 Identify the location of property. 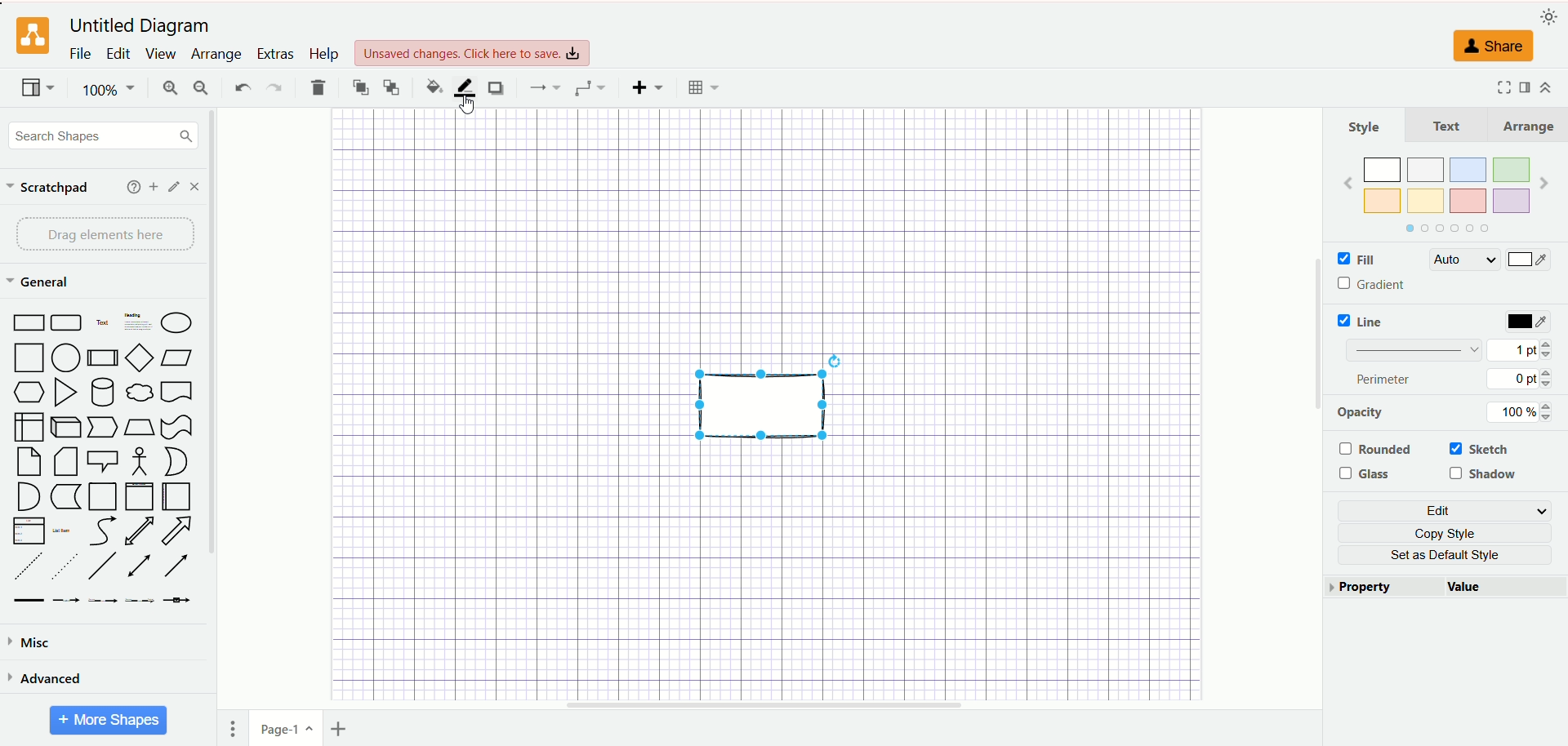
(1388, 588).